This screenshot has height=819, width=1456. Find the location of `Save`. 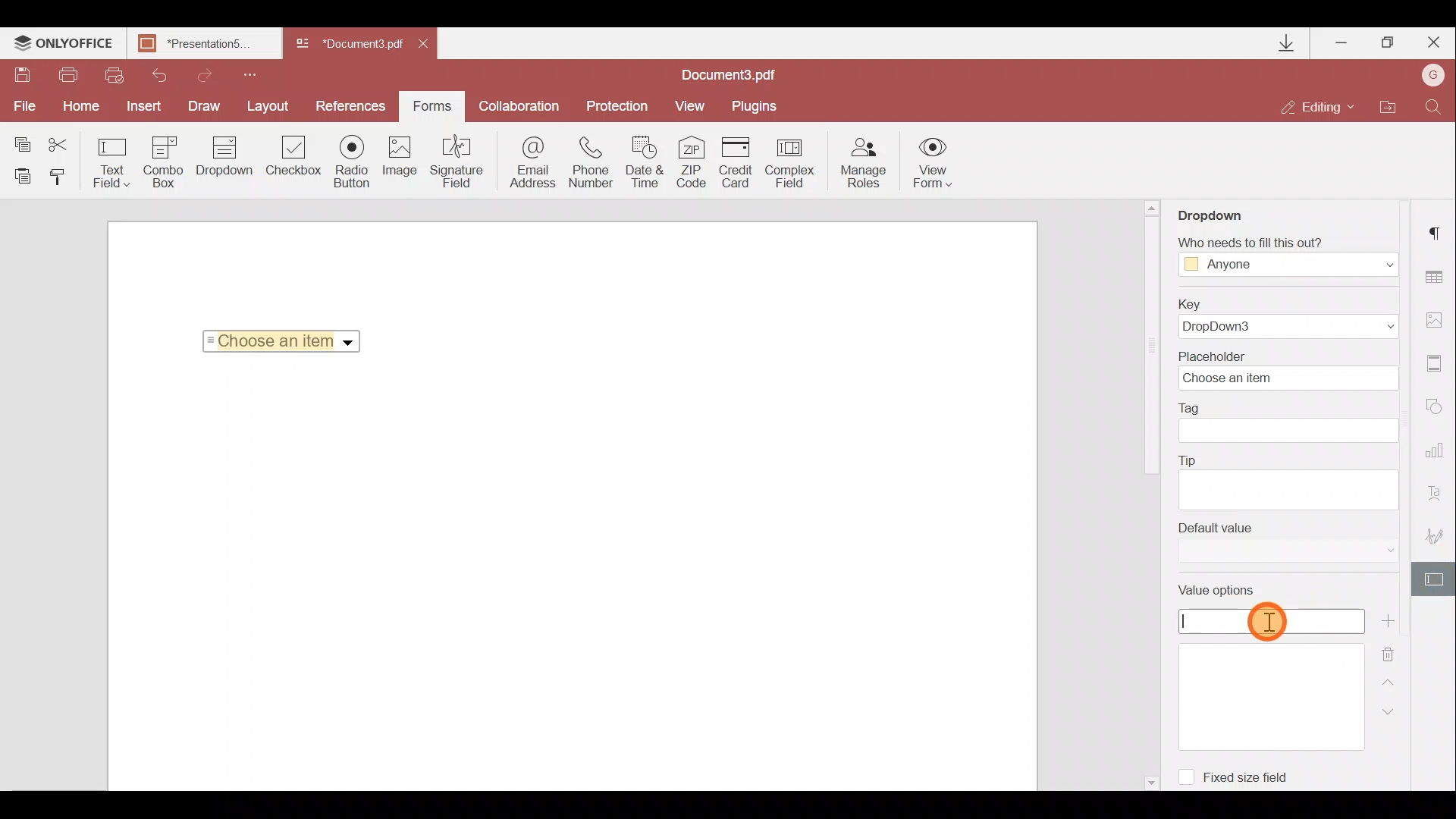

Save is located at coordinates (22, 75).